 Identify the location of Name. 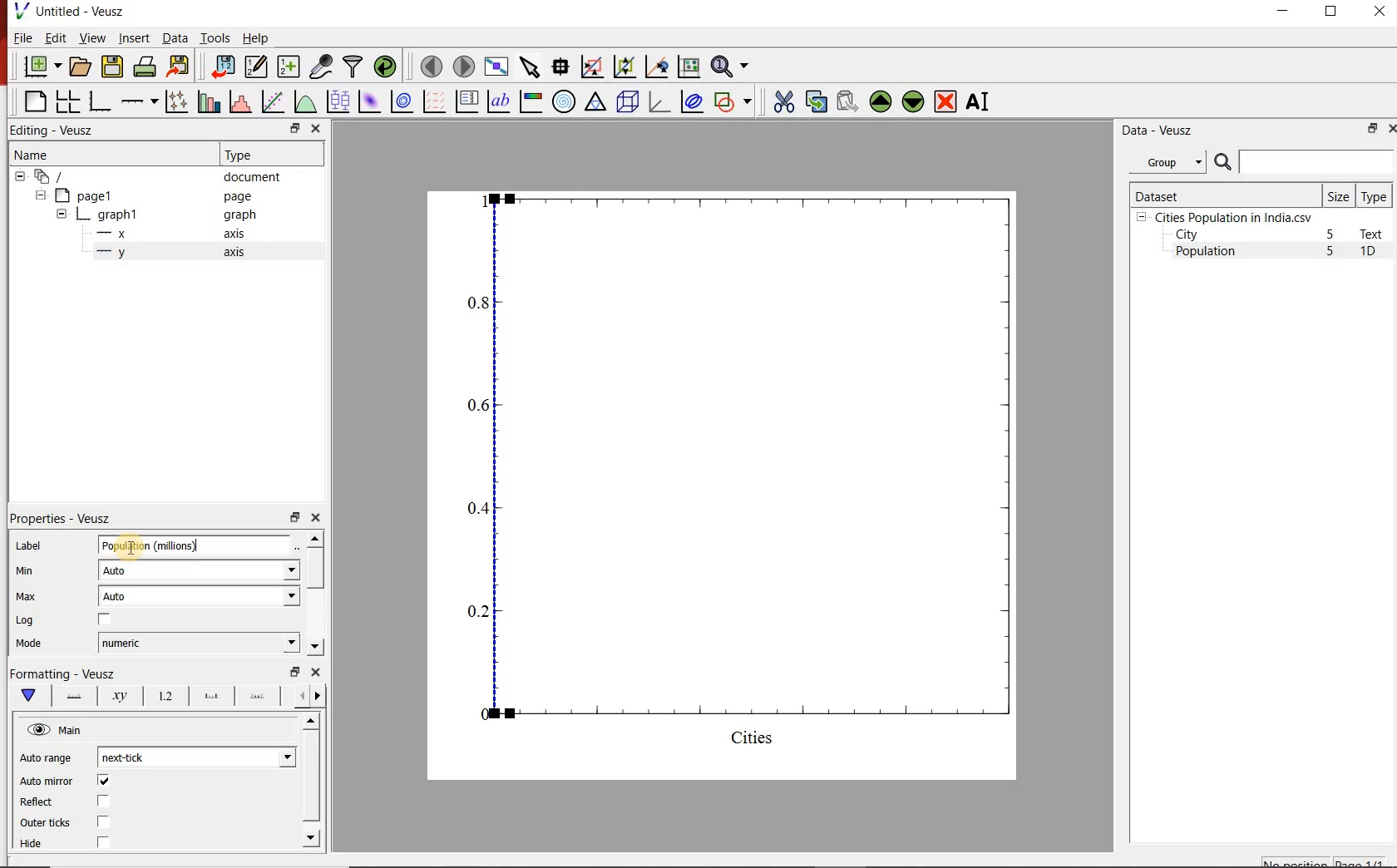
(94, 154).